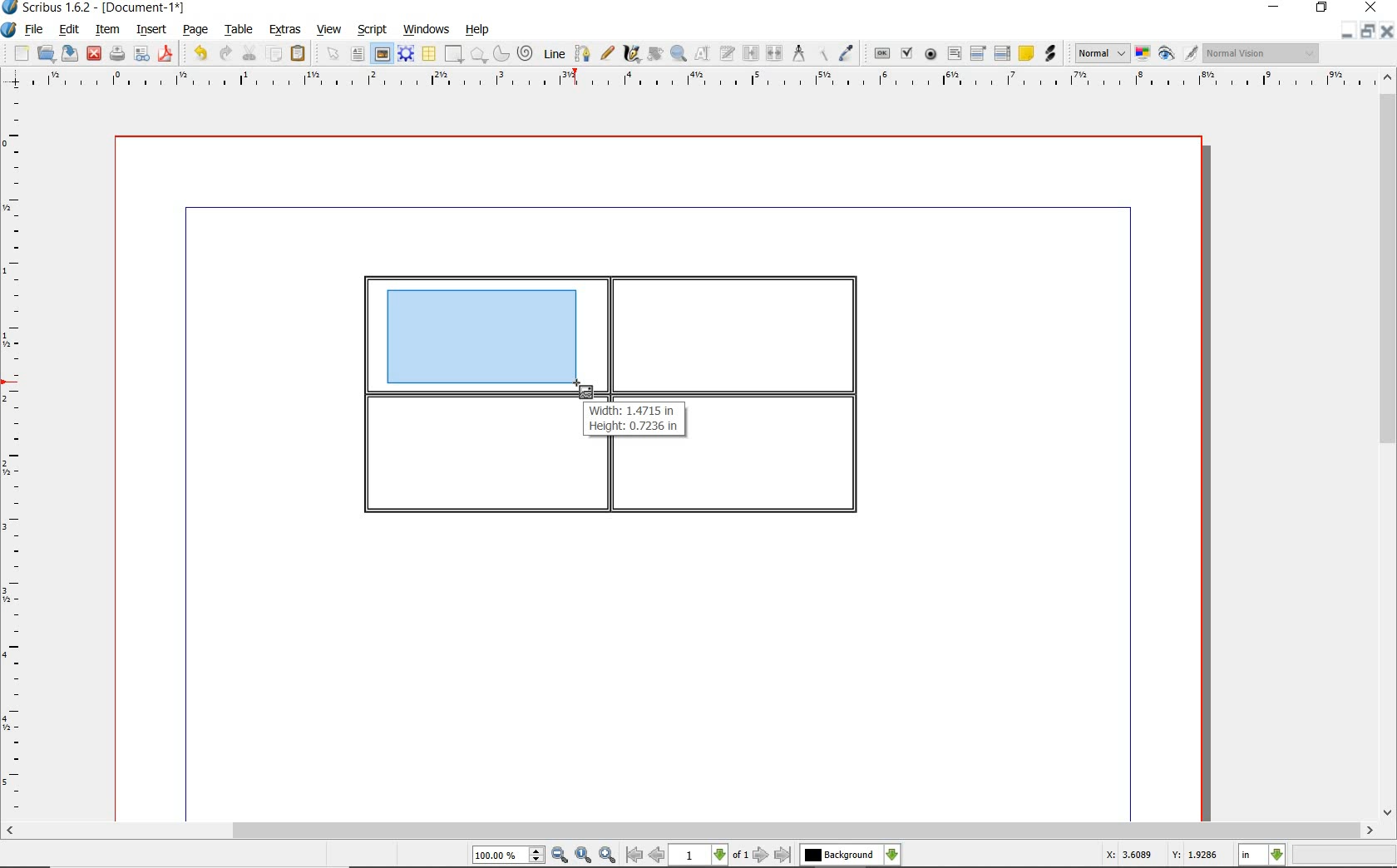  Describe the element at coordinates (656, 856) in the screenshot. I see `go to previous page` at that location.